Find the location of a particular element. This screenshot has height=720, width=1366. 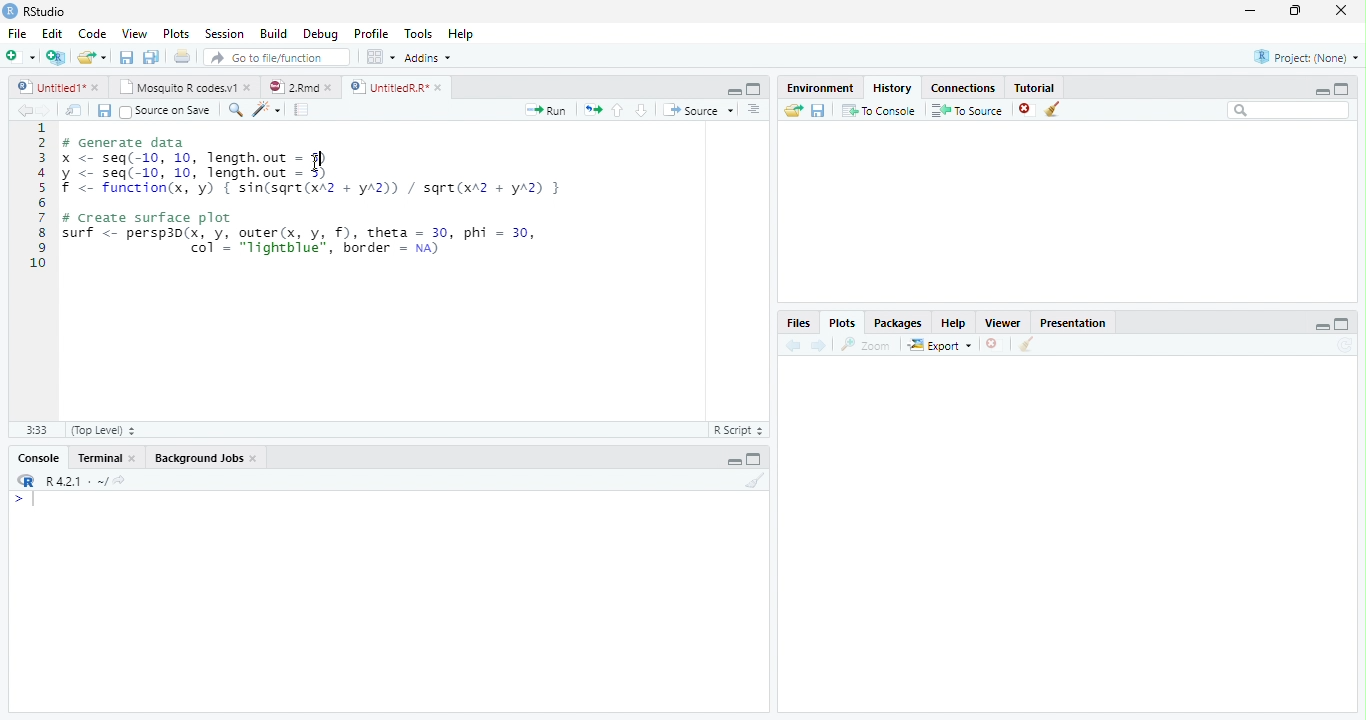

close is located at coordinates (438, 87).